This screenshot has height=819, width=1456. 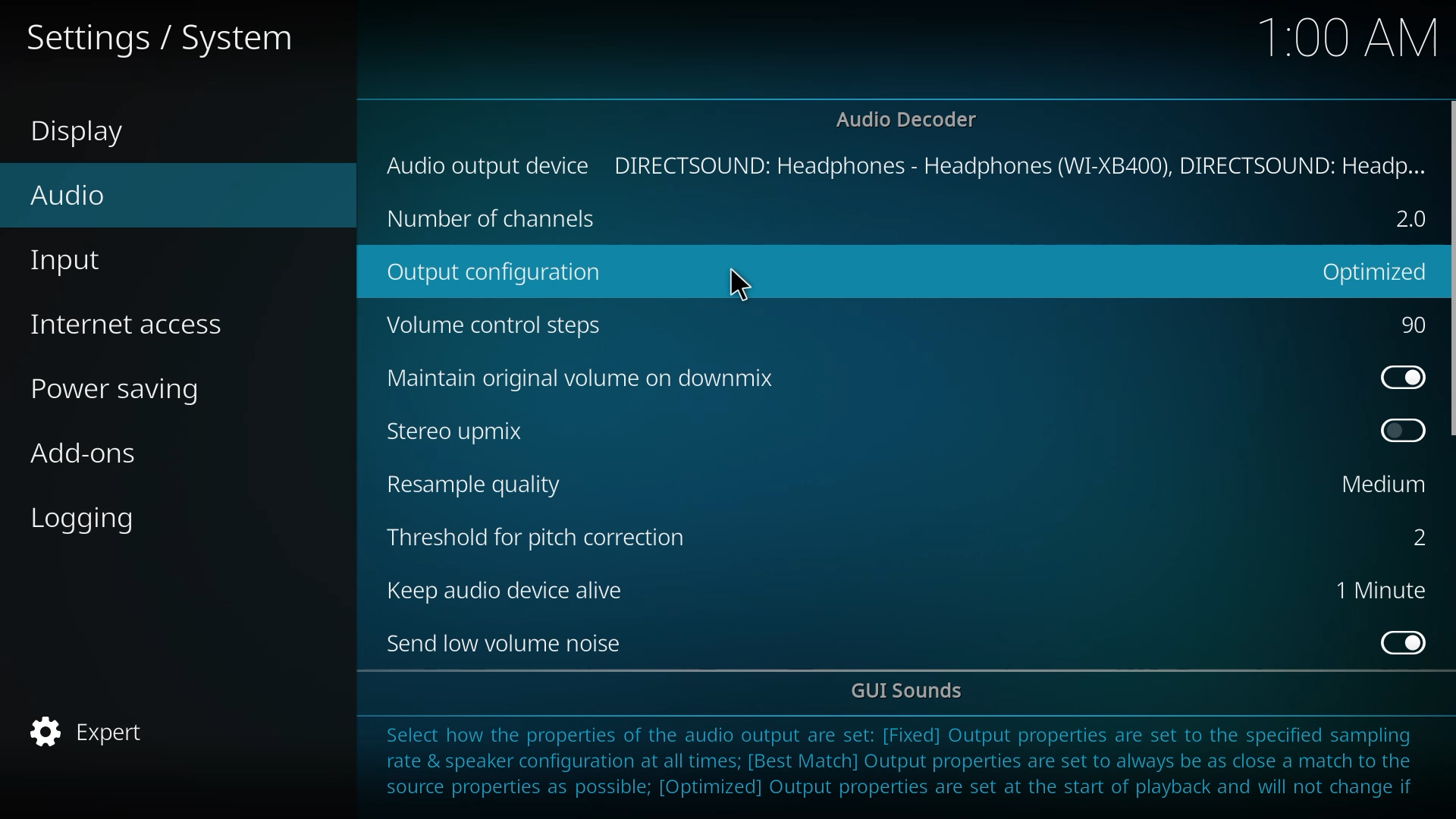 What do you see at coordinates (506, 641) in the screenshot?
I see `send low volume noise` at bounding box center [506, 641].